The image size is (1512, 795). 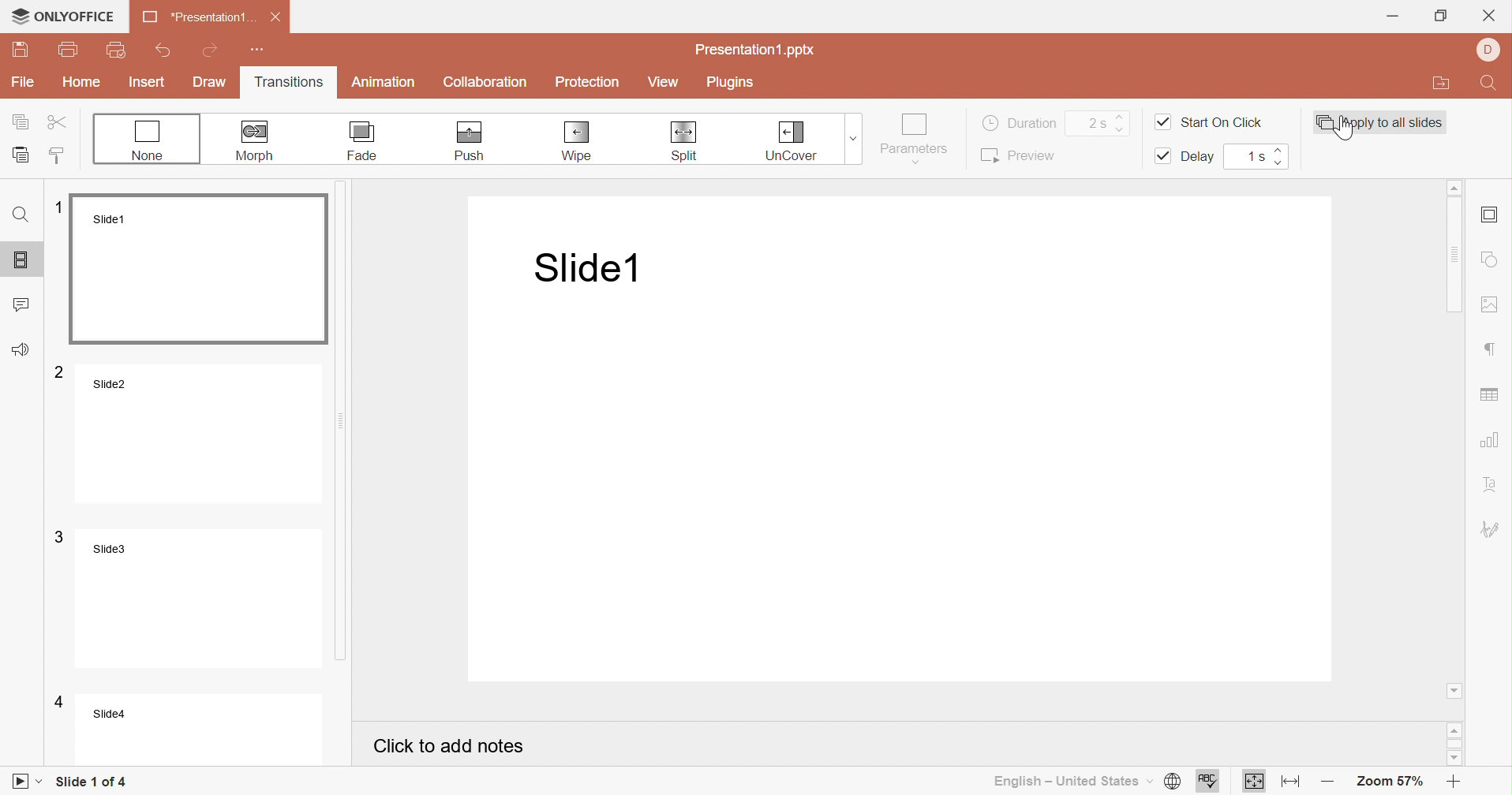 What do you see at coordinates (1071, 782) in the screenshot?
I see `English - United States` at bounding box center [1071, 782].